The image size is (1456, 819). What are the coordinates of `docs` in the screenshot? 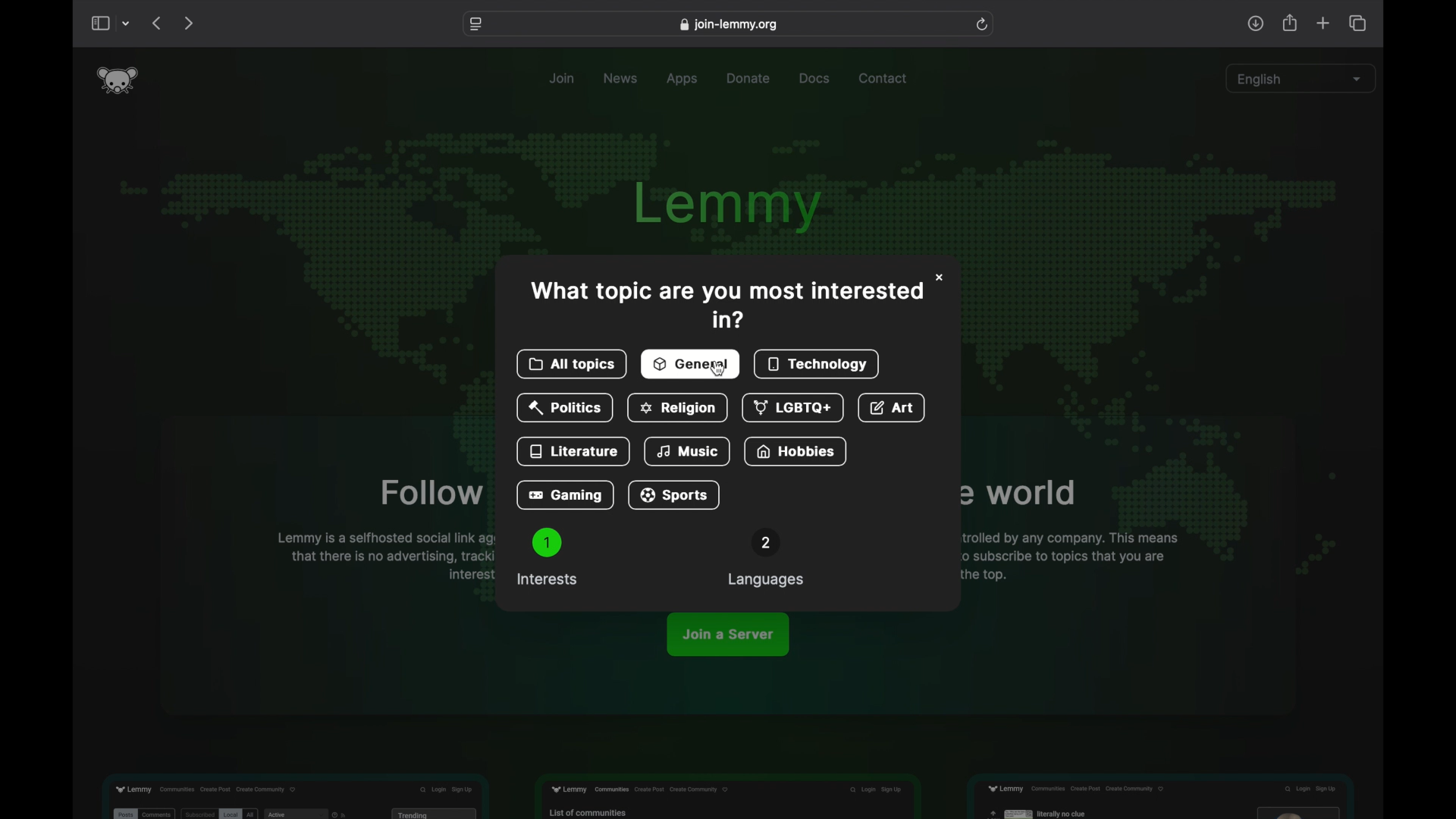 It's located at (814, 78).